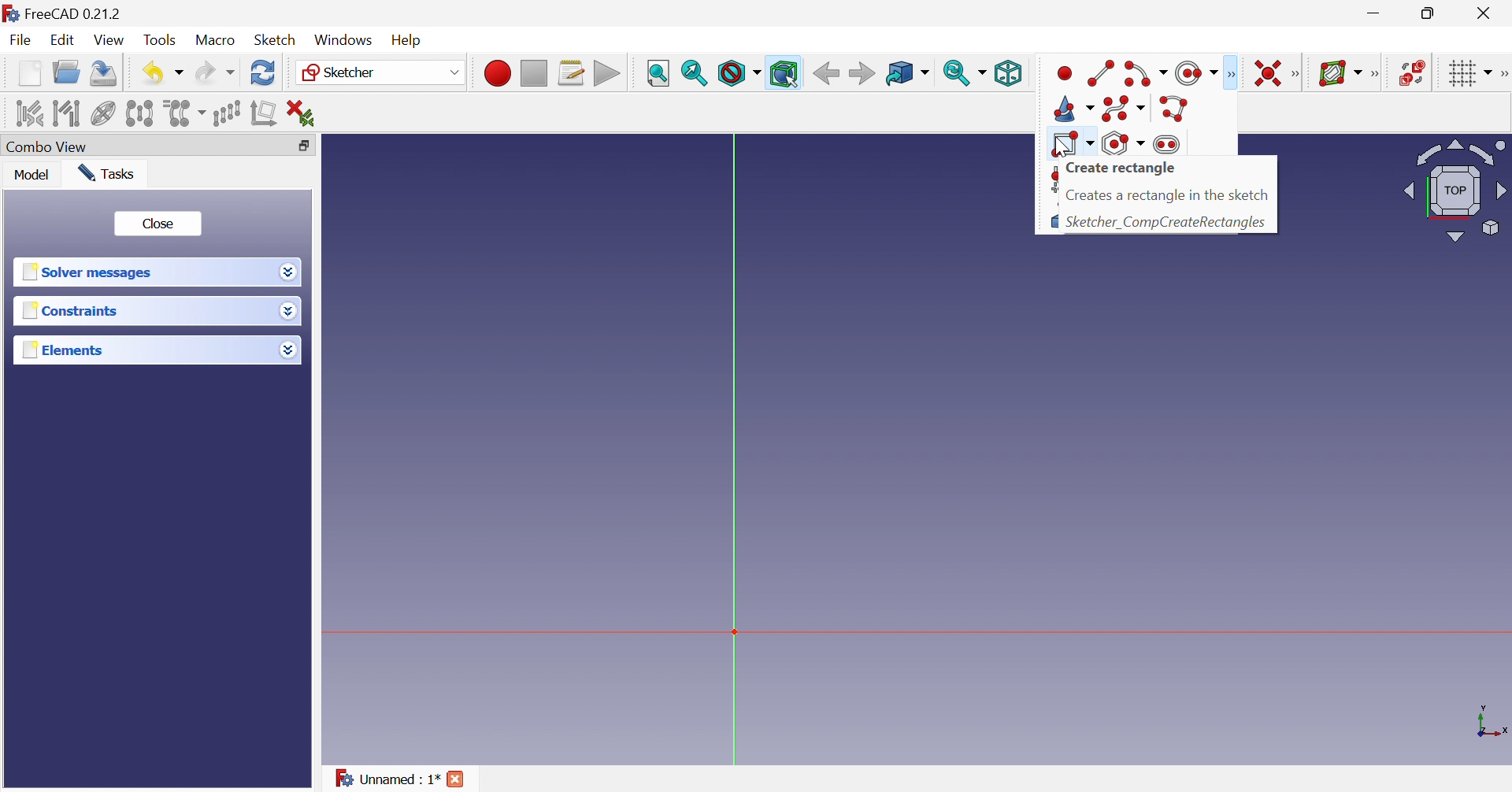 The width and height of the screenshot is (1512, 792). I want to click on Symmetry, so click(140, 114).